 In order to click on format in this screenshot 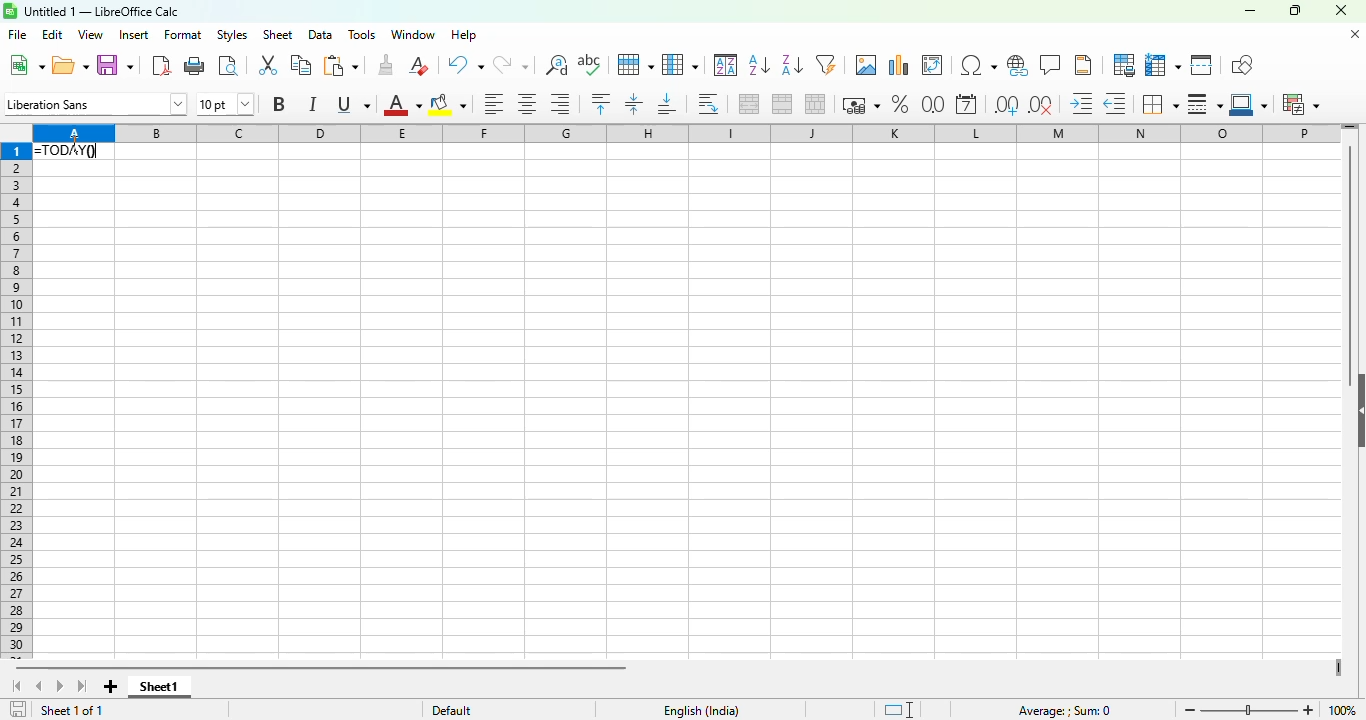, I will do `click(183, 35)`.